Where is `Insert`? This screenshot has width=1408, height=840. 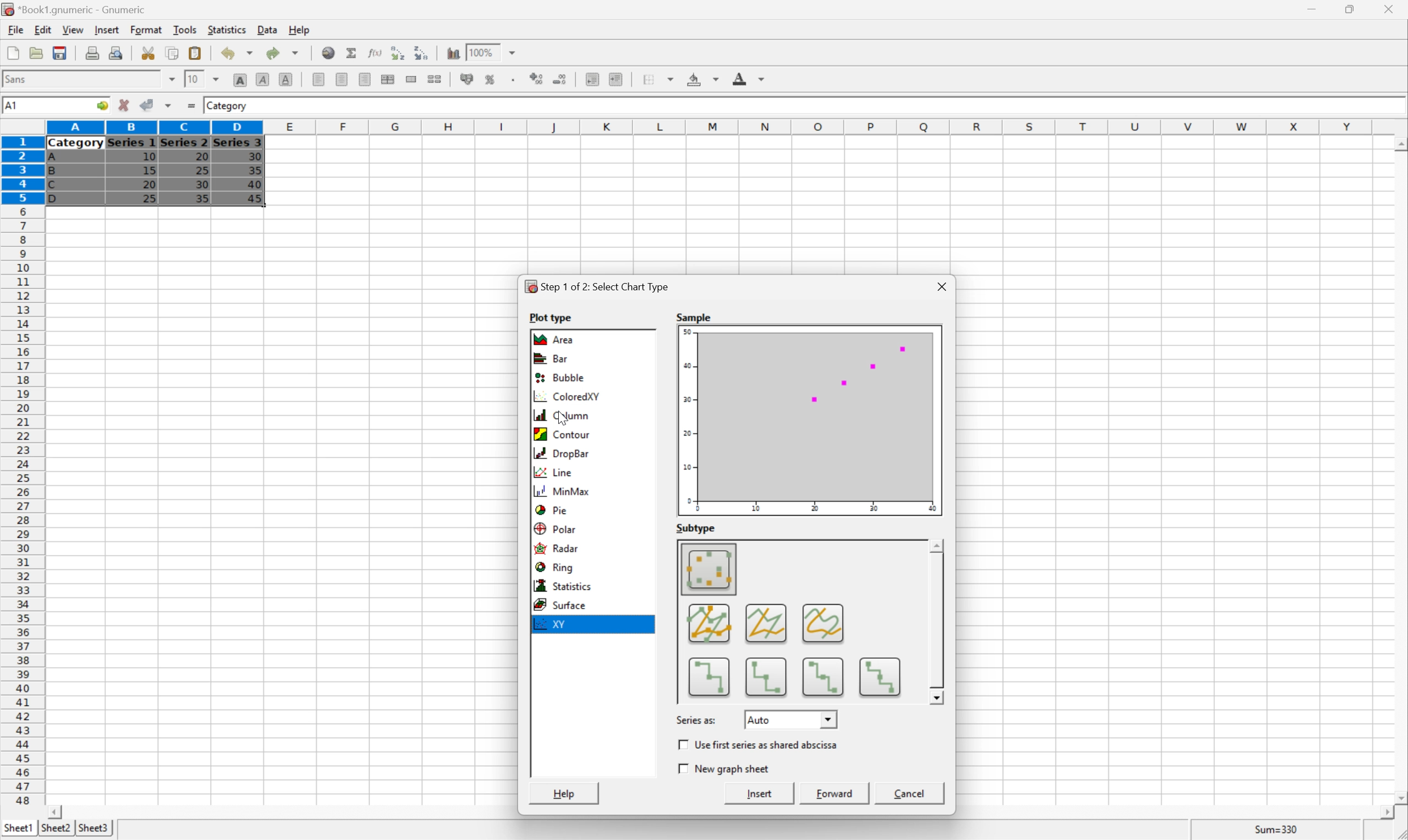
Insert is located at coordinates (108, 30).